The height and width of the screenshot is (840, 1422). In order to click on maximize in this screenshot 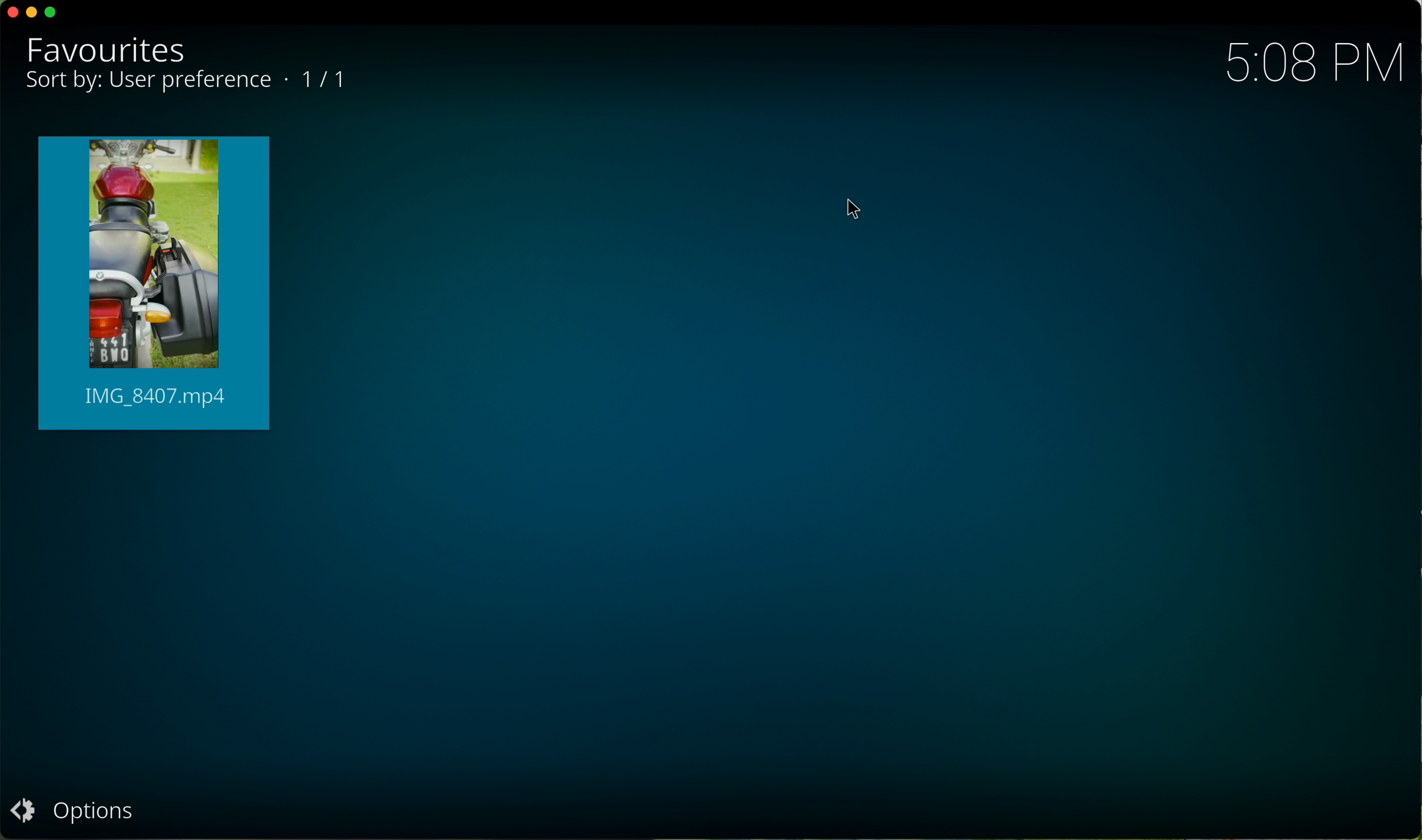, I will do `click(52, 12)`.